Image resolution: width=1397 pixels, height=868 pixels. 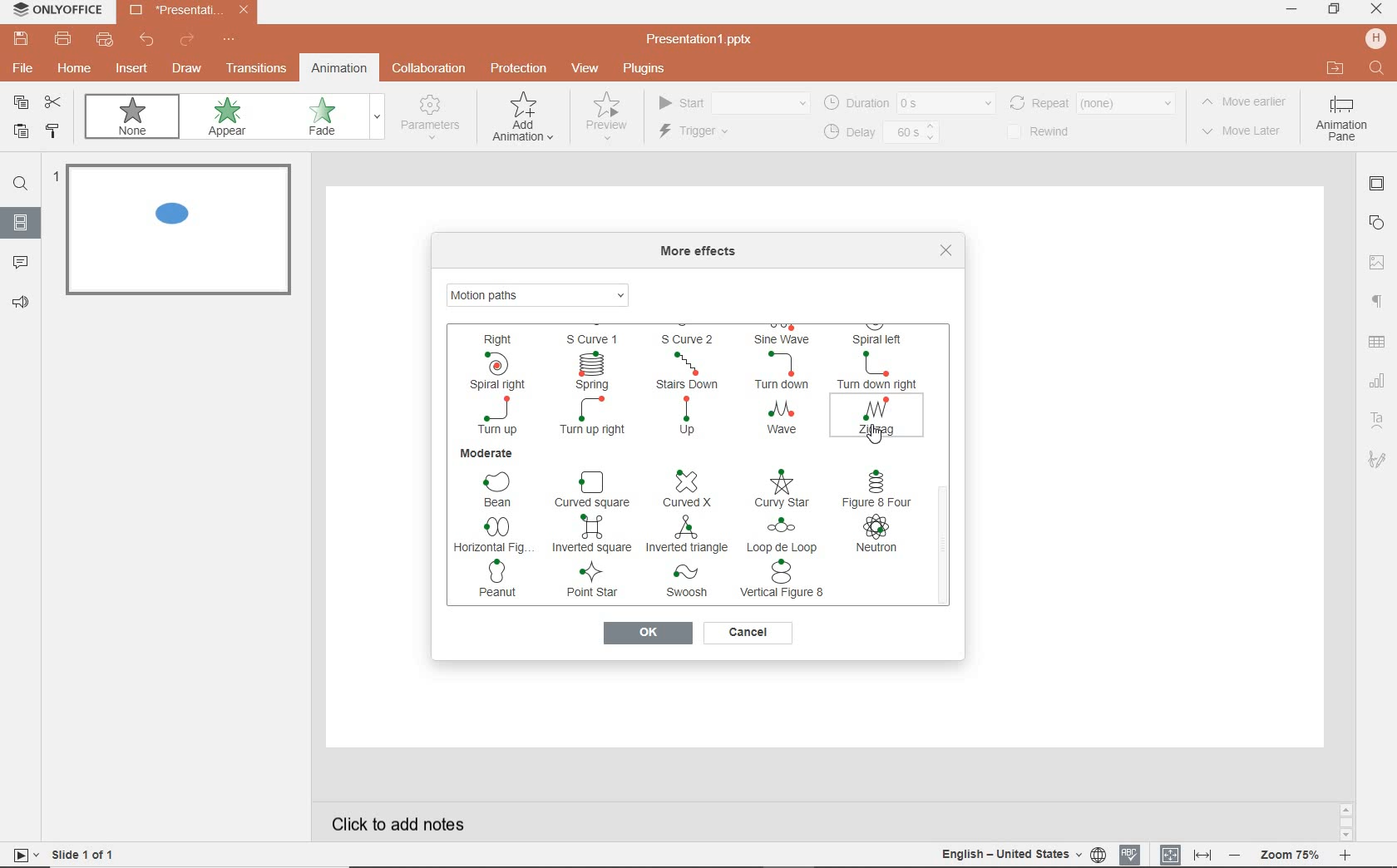 I want to click on protection, so click(x=517, y=67).